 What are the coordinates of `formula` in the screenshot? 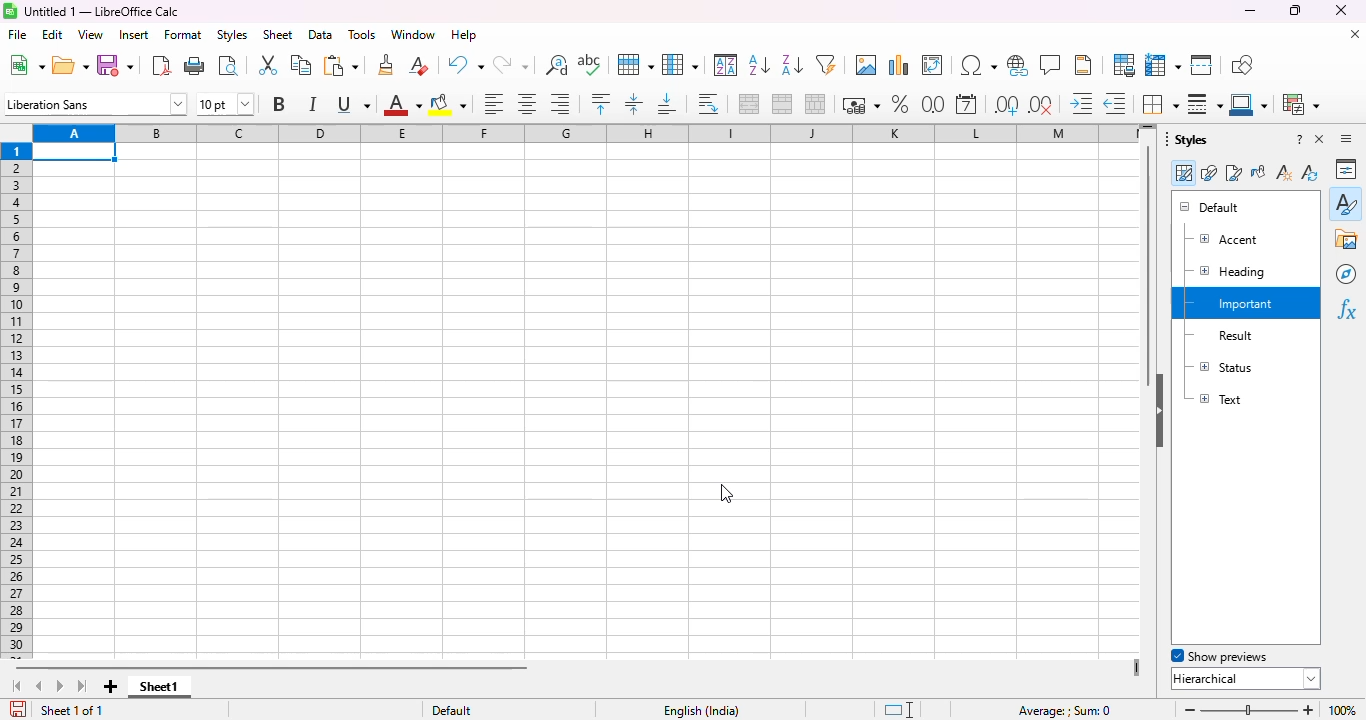 It's located at (1065, 711).